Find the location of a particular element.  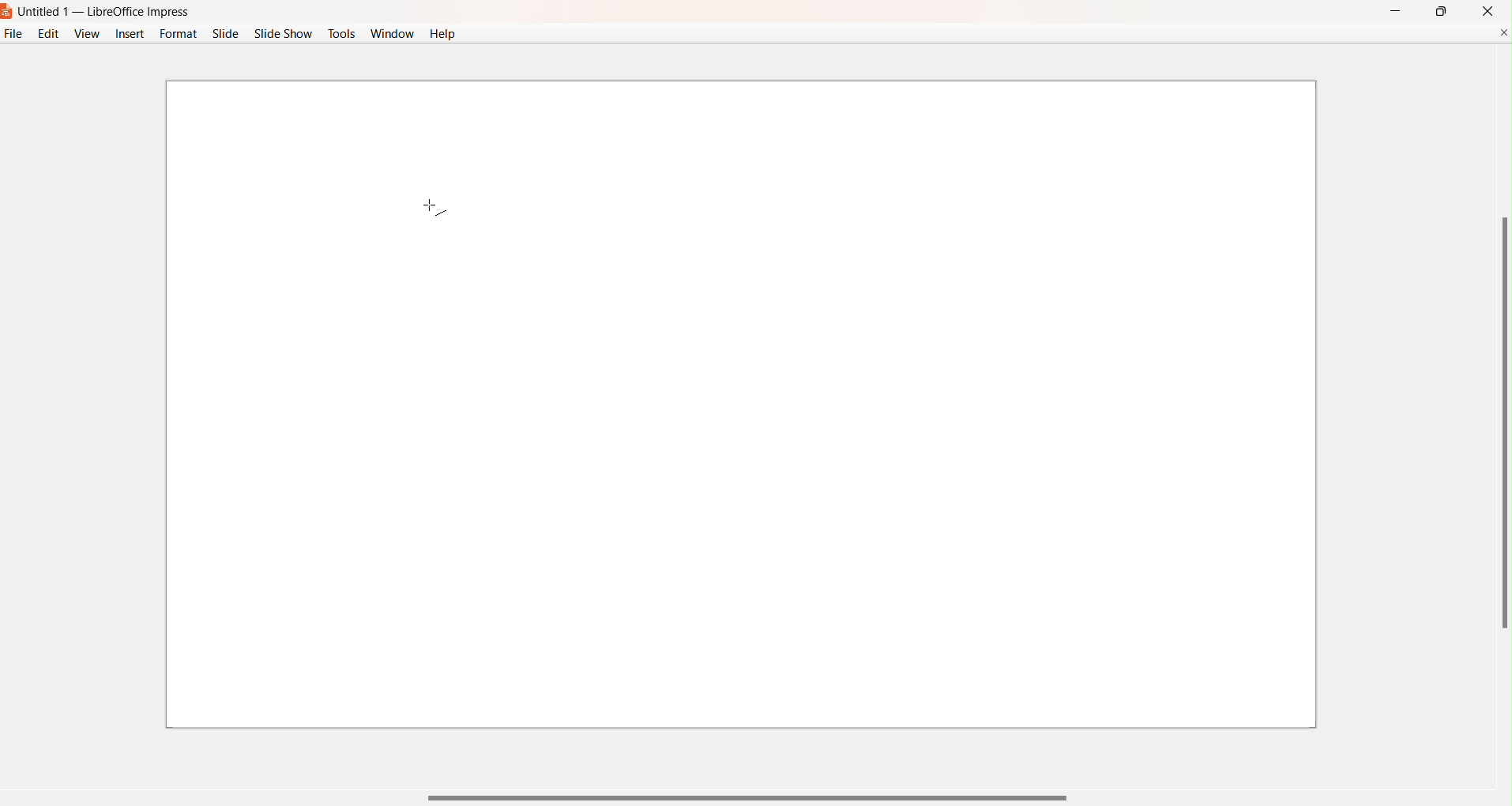

Logo is located at coordinates (8, 13).